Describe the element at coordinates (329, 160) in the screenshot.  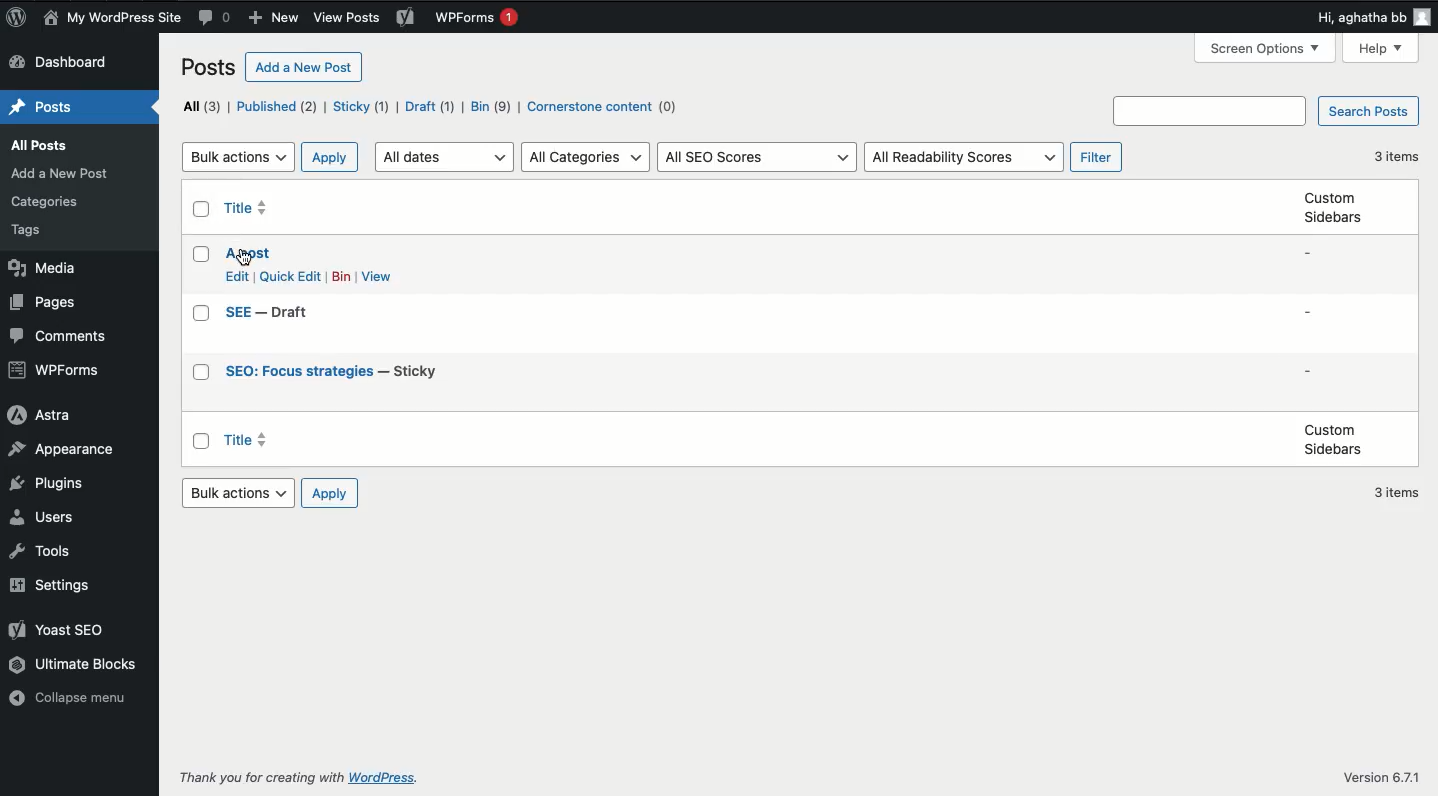
I see `Apply` at that location.